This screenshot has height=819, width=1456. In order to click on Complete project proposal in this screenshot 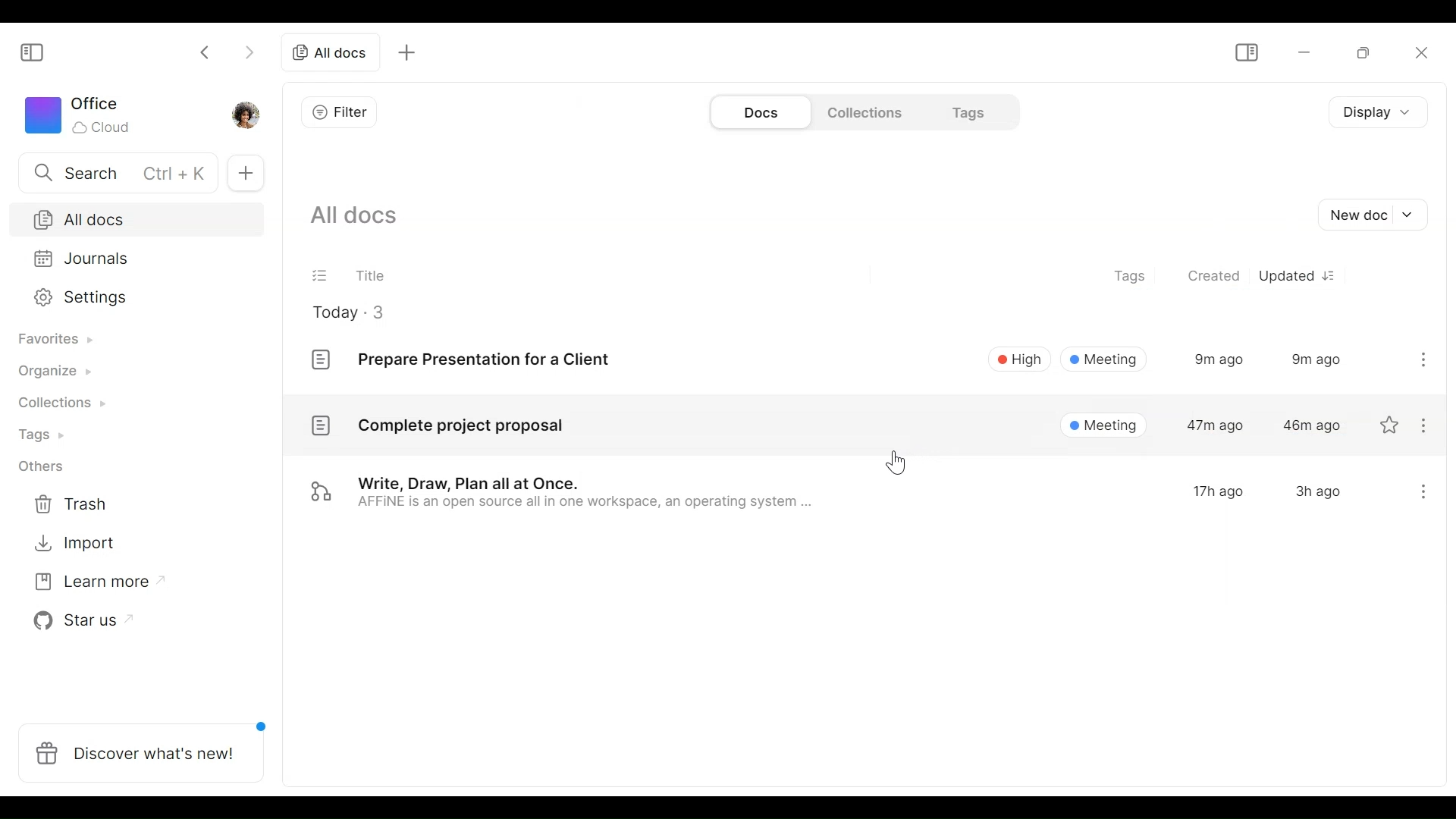, I will do `click(438, 430)`.